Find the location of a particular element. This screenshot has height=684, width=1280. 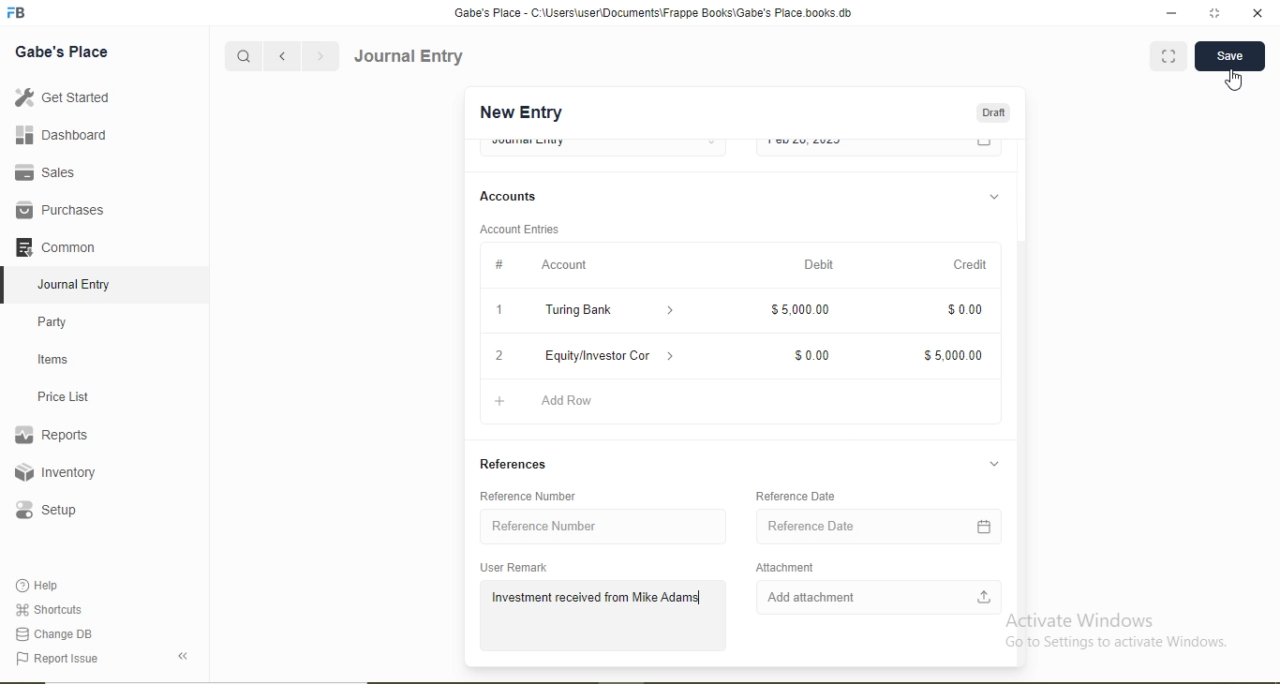

User Remark is located at coordinates (513, 567).